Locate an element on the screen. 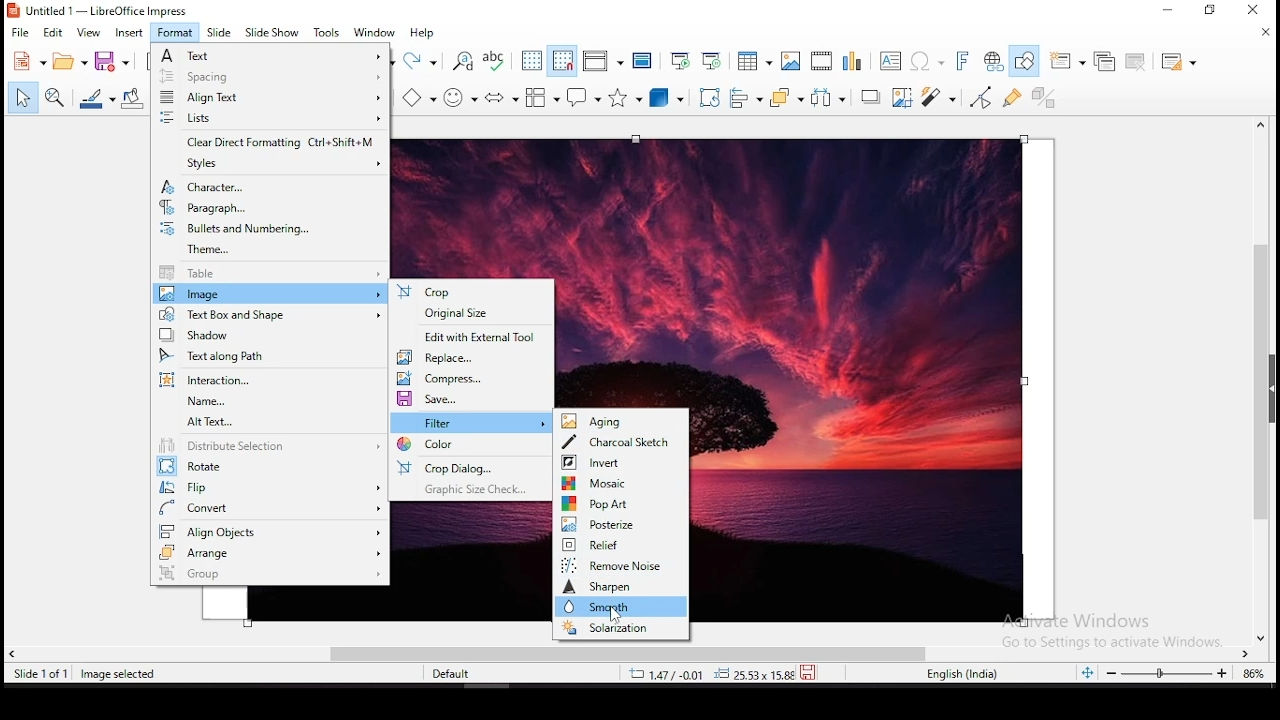 This screenshot has width=1280, height=720. current zoom level is located at coordinates (1251, 676).